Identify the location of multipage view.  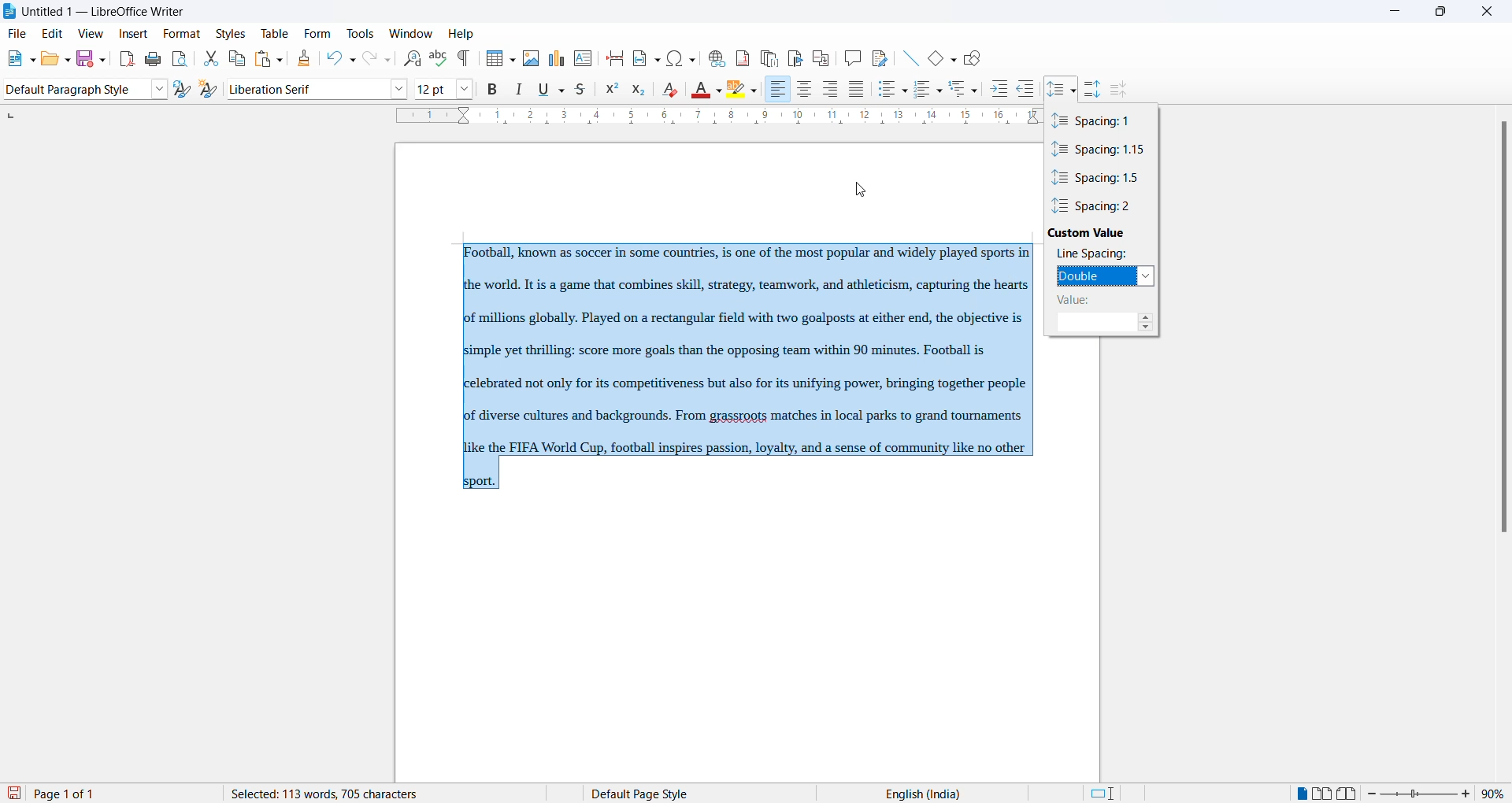
(1325, 795).